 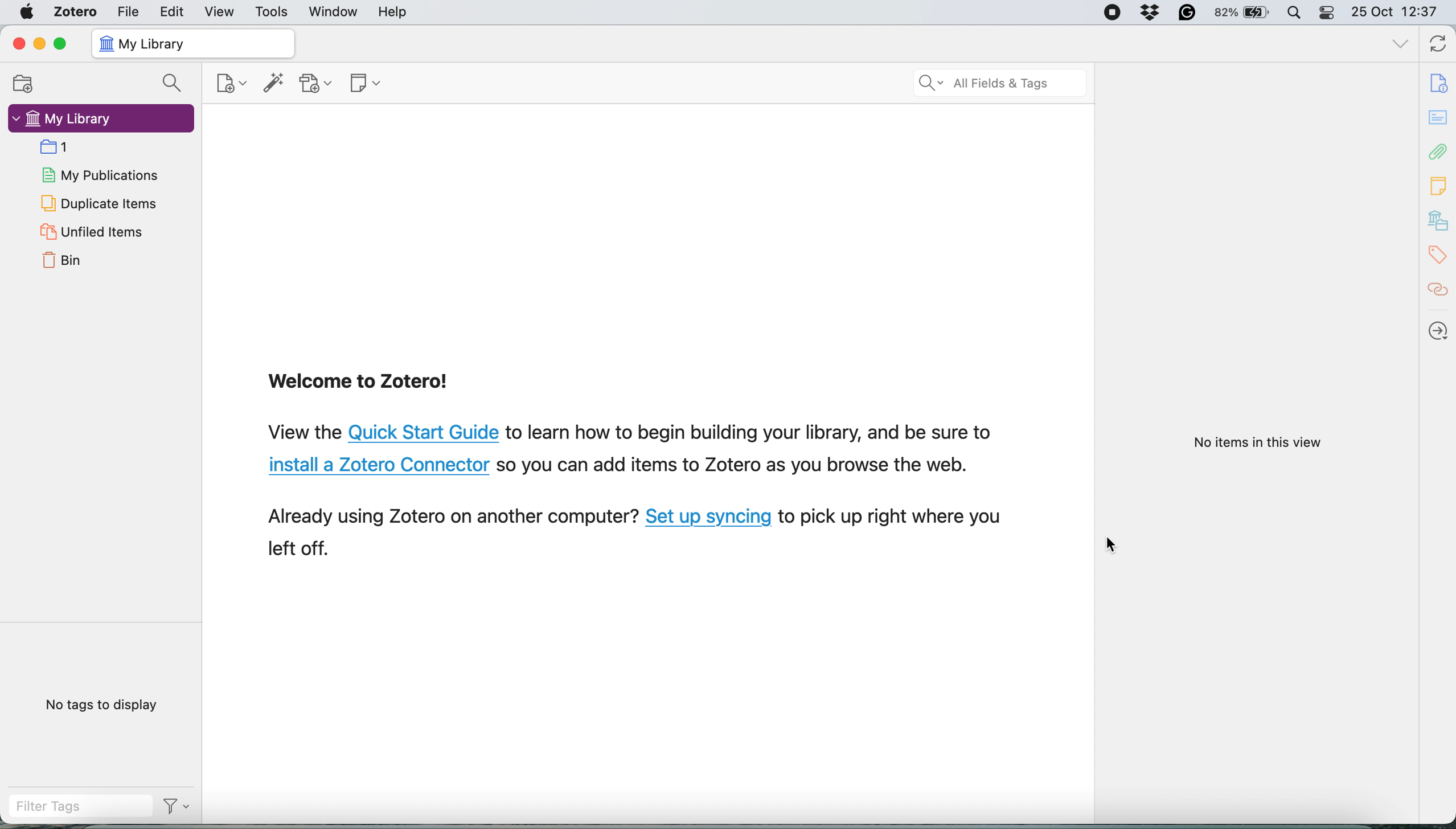 I want to click on collection, so click(x=54, y=147).